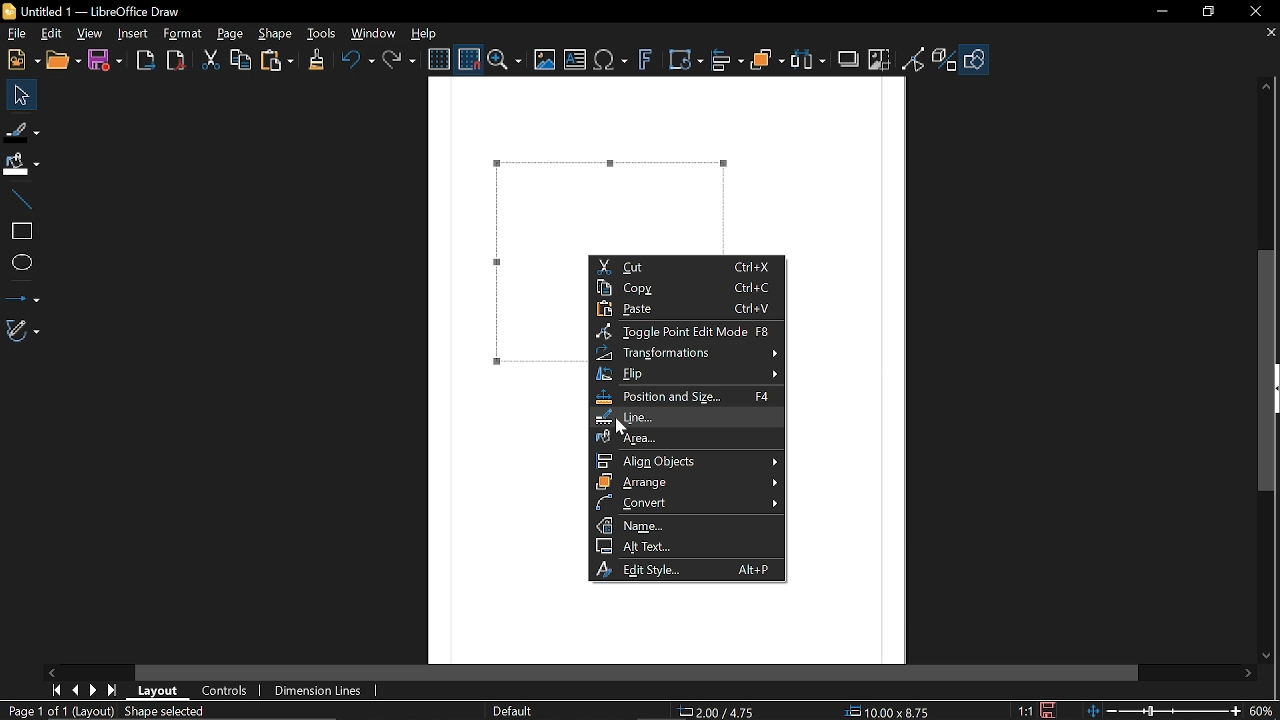 The height and width of the screenshot is (720, 1280). What do you see at coordinates (686, 418) in the screenshot?
I see `Line` at bounding box center [686, 418].